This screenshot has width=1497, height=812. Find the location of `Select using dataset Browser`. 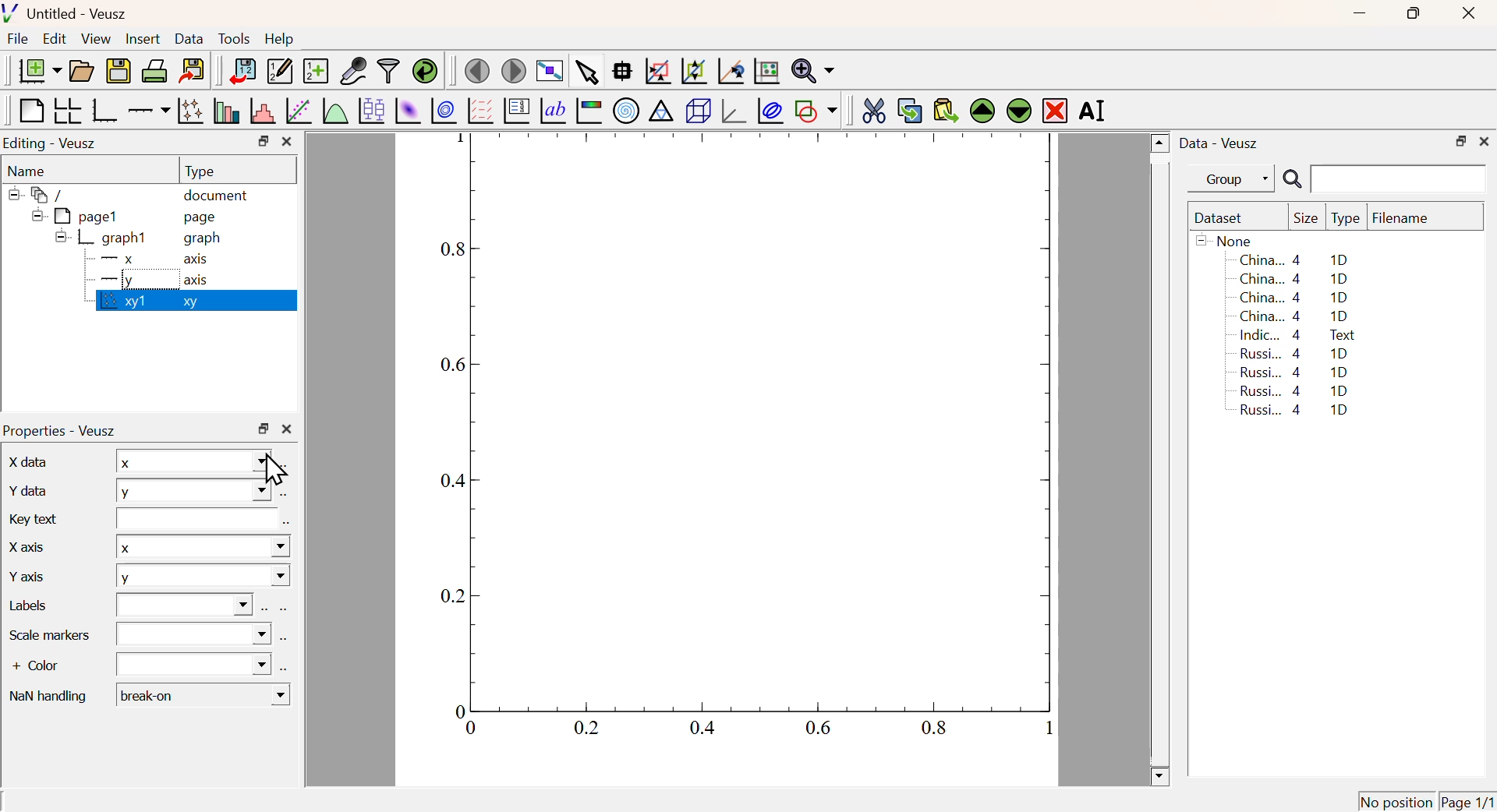

Select using dataset Browser is located at coordinates (282, 610).